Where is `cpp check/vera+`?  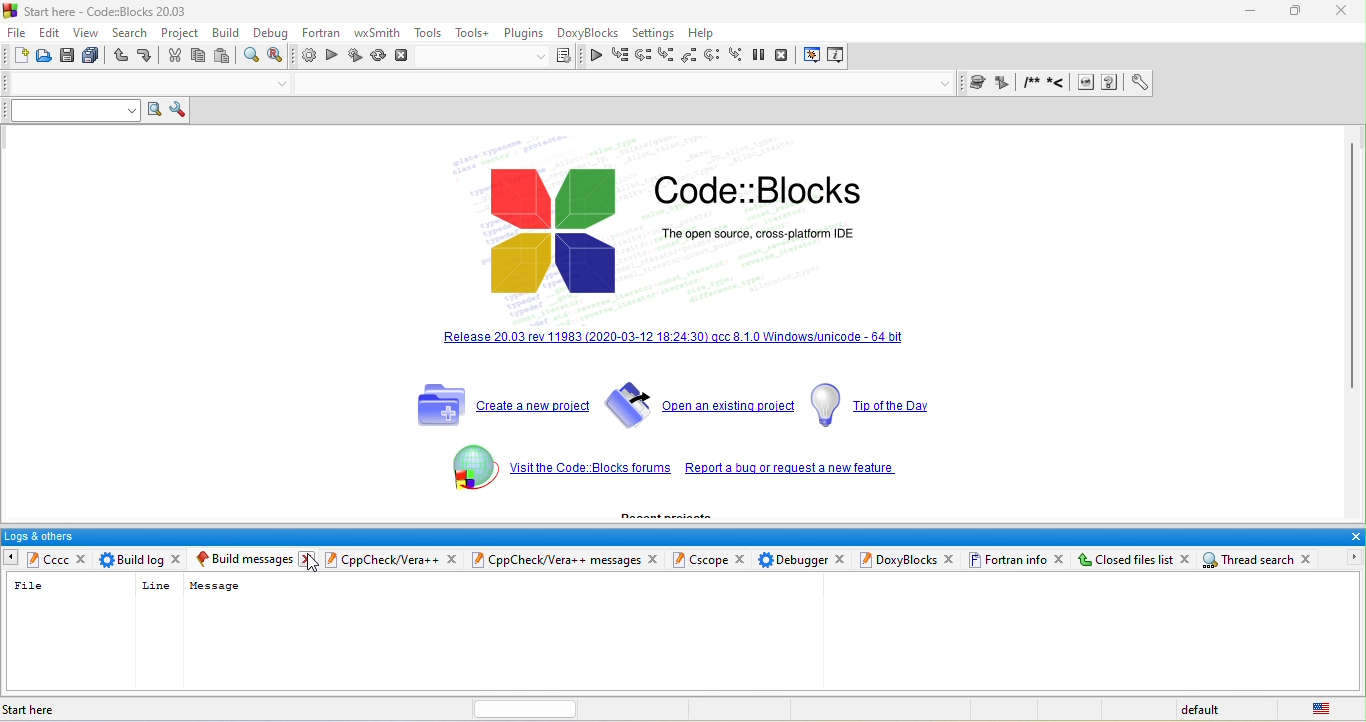
cpp check/vera+ is located at coordinates (381, 559).